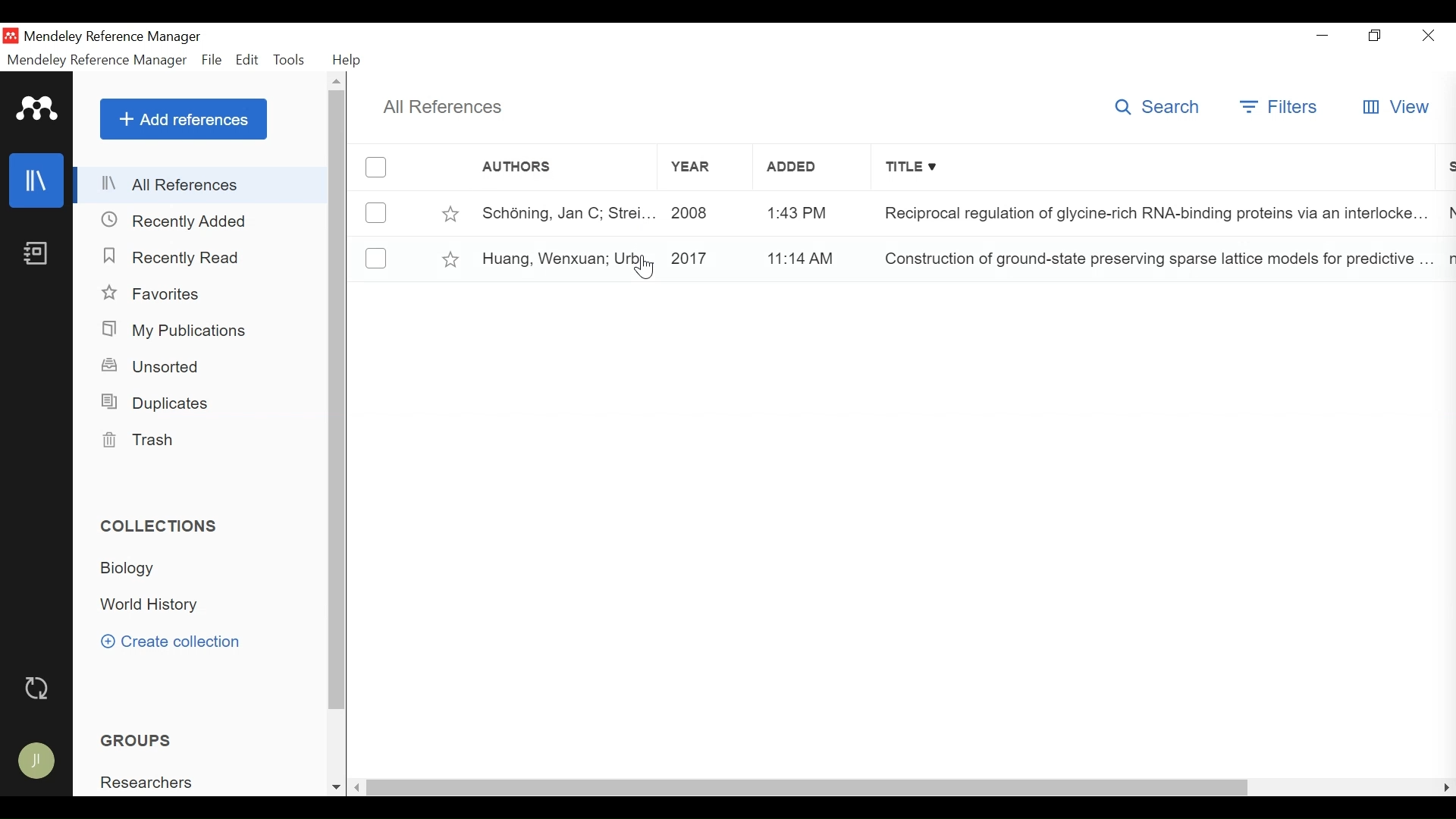 The image size is (1456, 819). Describe the element at coordinates (140, 741) in the screenshot. I see `Groups` at that location.